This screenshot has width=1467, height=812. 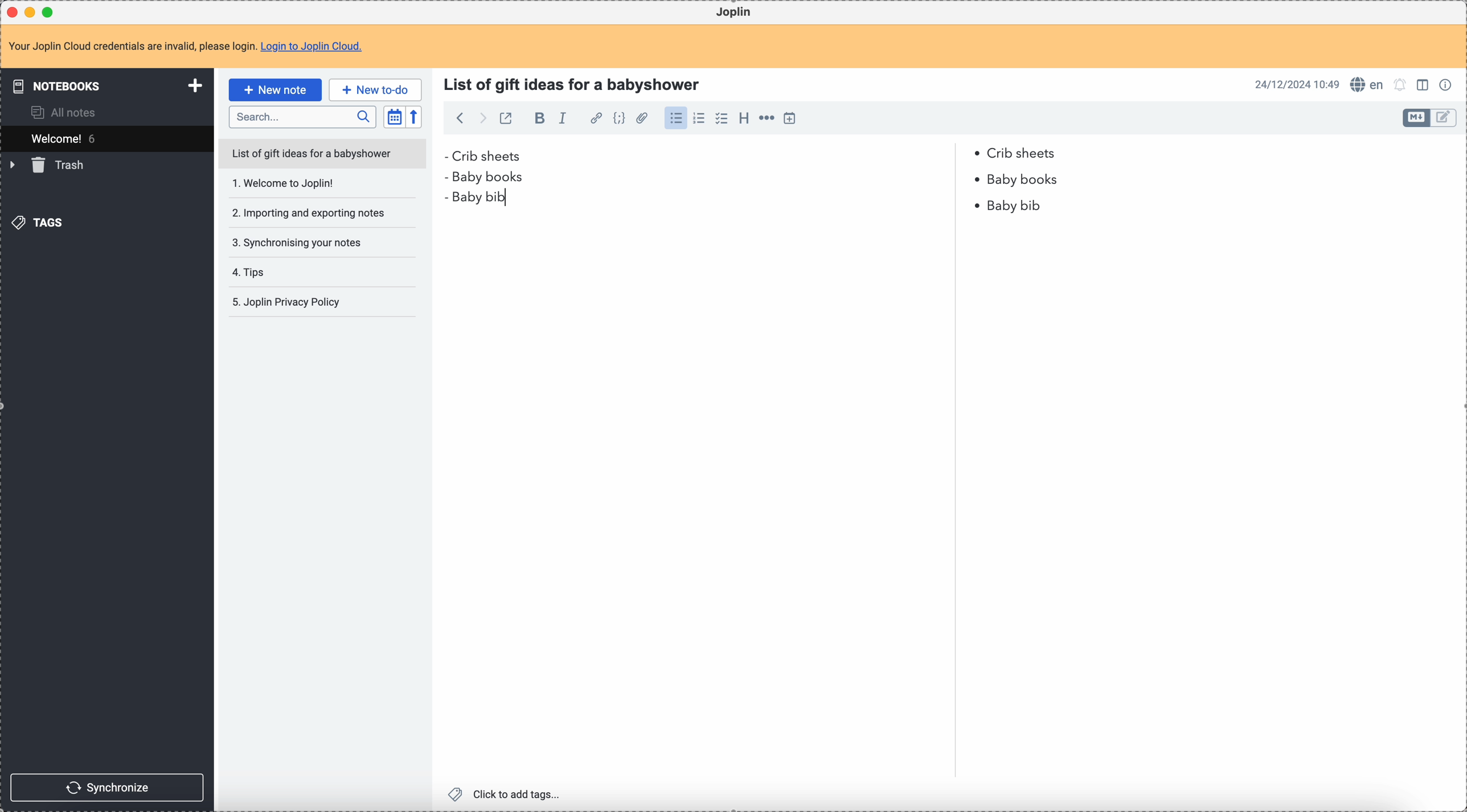 What do you see at coordinates (1026, 180) in the screenshot?
I see `baby books` at bounding box center [1026, 180].